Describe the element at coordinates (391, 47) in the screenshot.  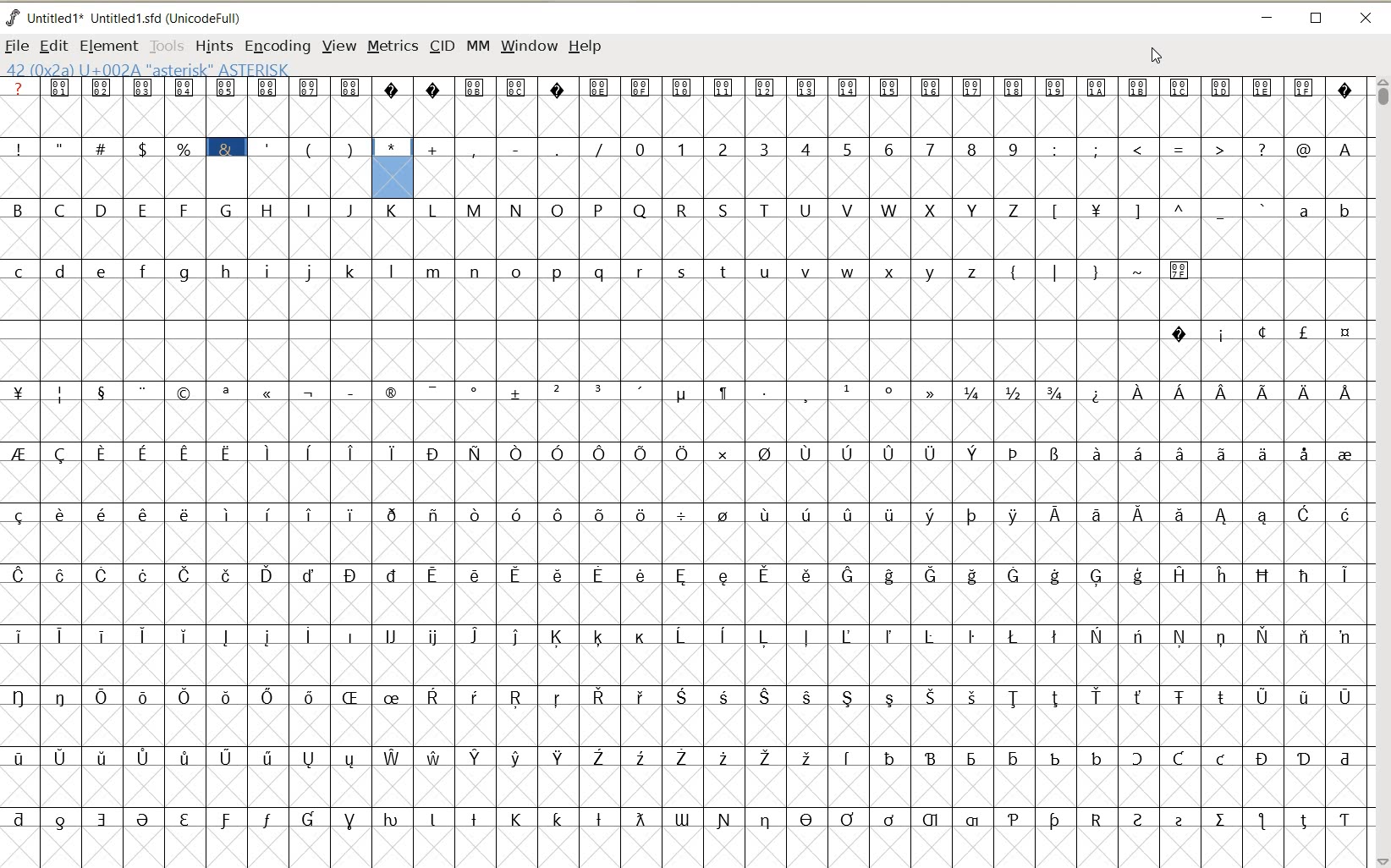
I see `METRICS` at that location.